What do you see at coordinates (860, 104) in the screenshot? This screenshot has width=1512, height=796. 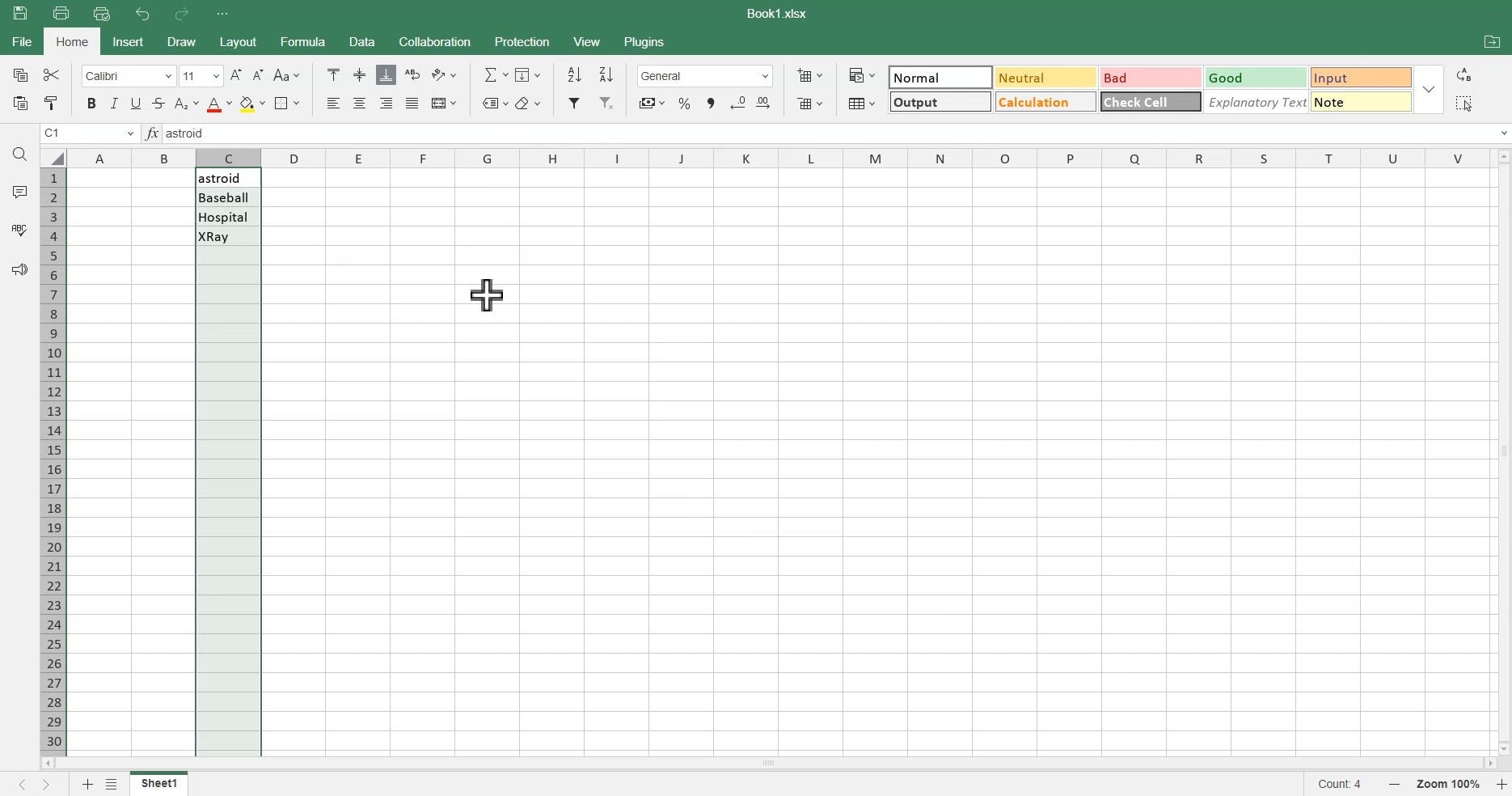 I see `Format as table template` at bounding box center [860, 104].